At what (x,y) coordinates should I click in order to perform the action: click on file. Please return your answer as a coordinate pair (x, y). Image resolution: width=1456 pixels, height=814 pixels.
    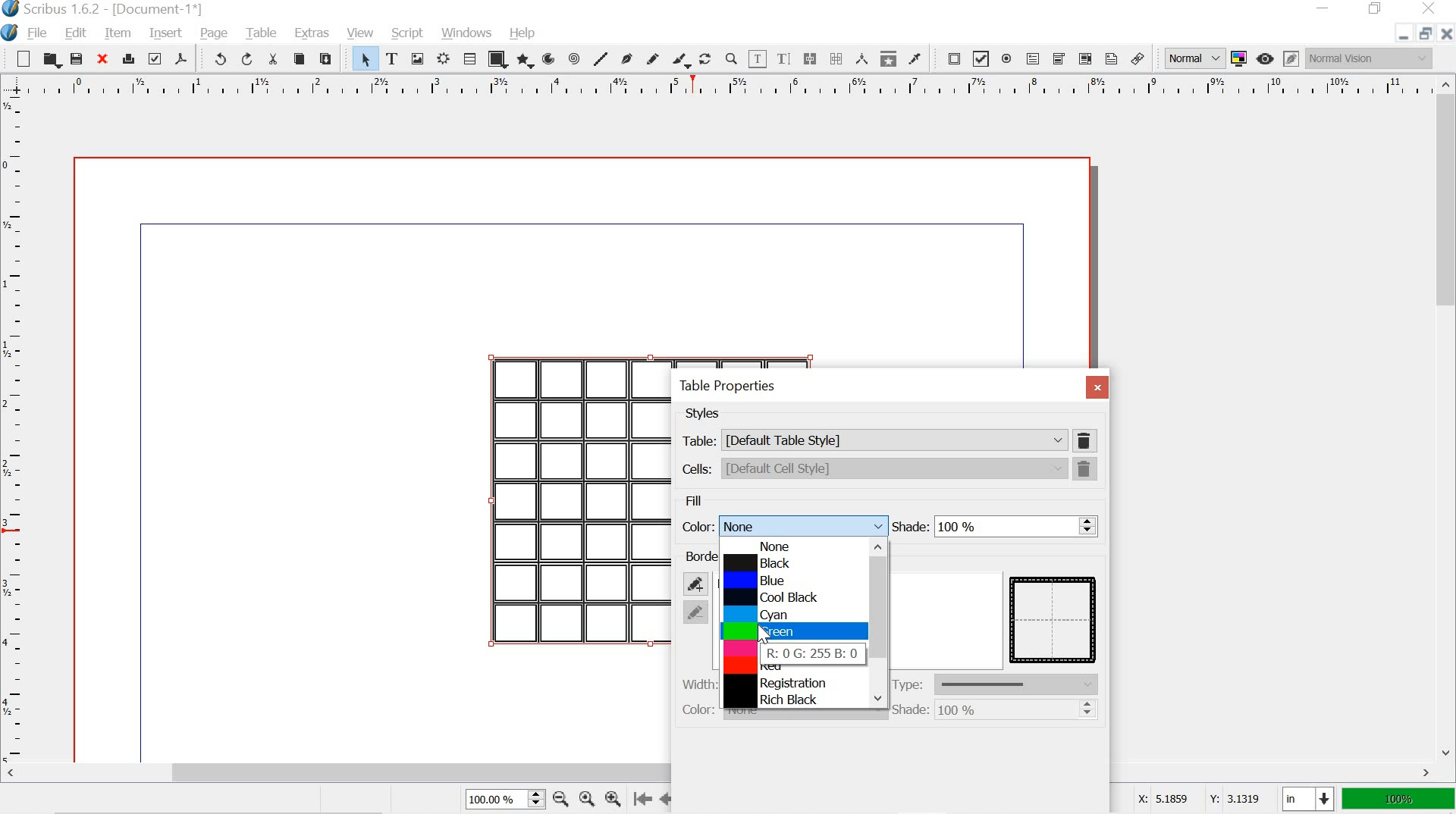
    Looking at the image, I should click on (36, 34).